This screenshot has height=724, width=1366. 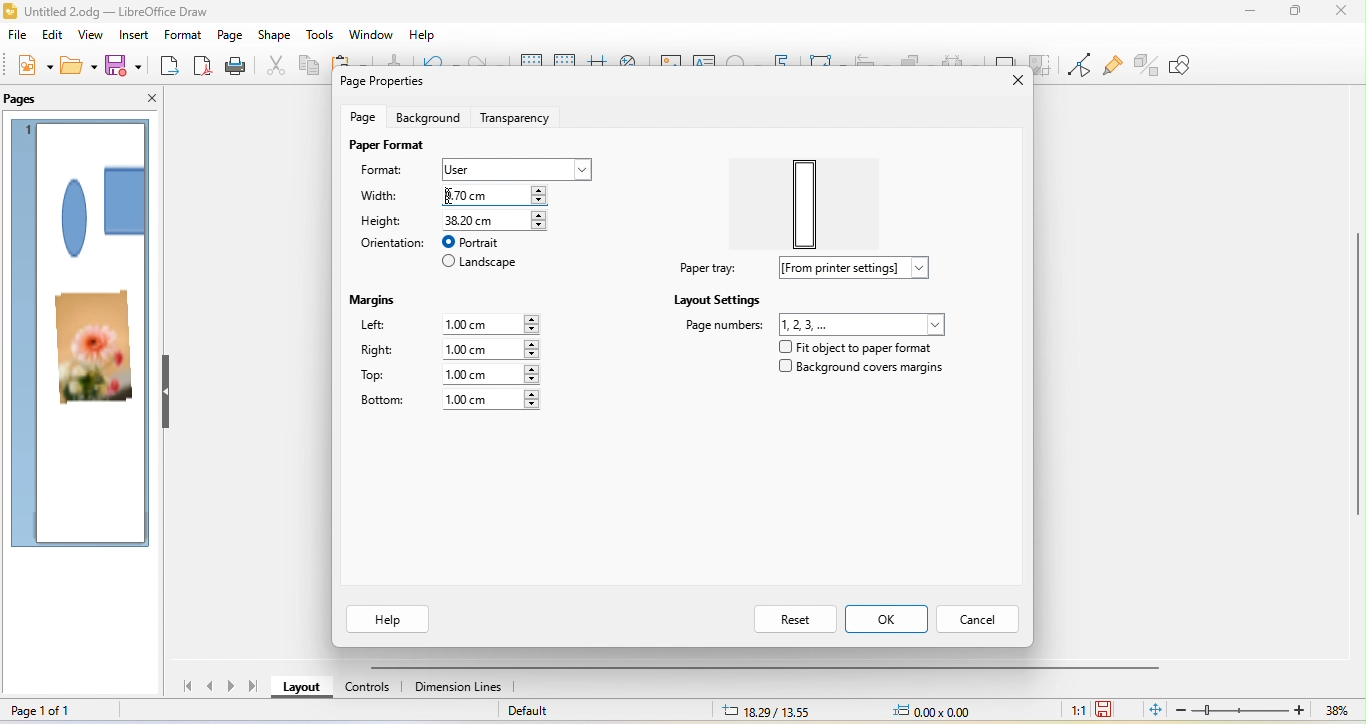 What do you see at coordinates (100, 209) in the screenshot?
I see `shape` at bounding box center [100, 209].